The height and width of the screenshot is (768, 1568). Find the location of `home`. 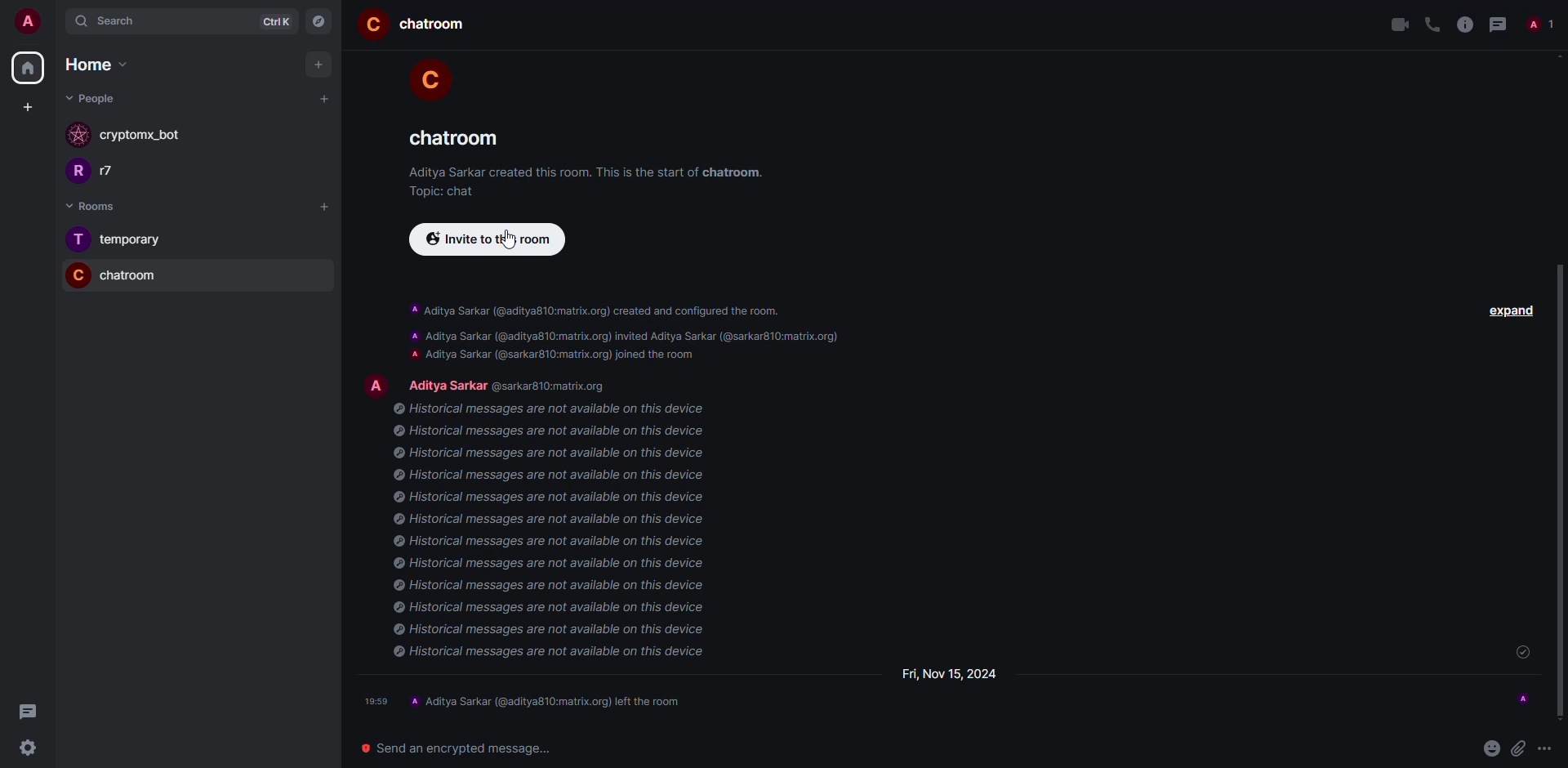

home is located at coordinates (88, 65).